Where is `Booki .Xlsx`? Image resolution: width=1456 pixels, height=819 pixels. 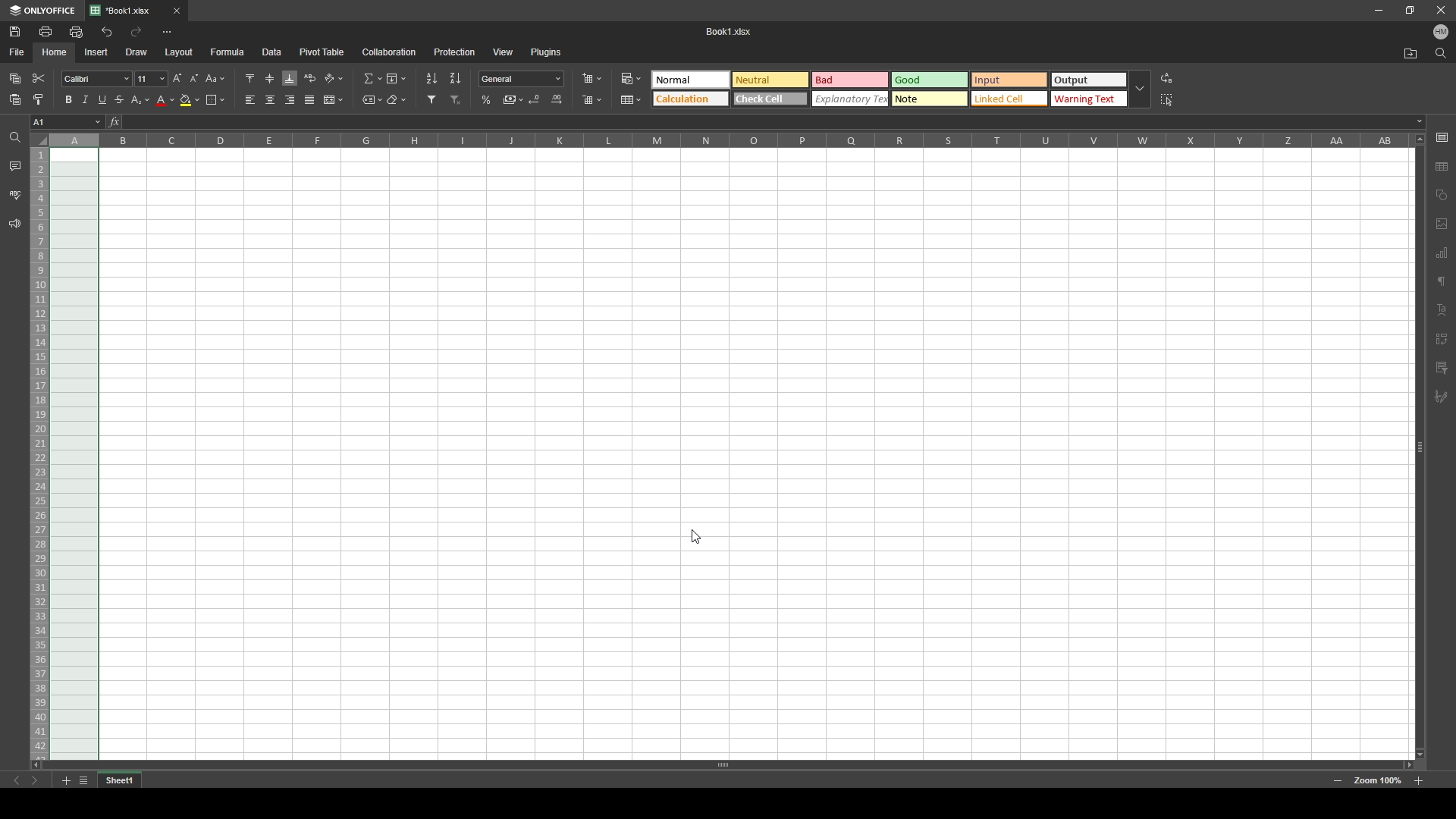 Booki .Xlsx is located at coordinates (730, 31).